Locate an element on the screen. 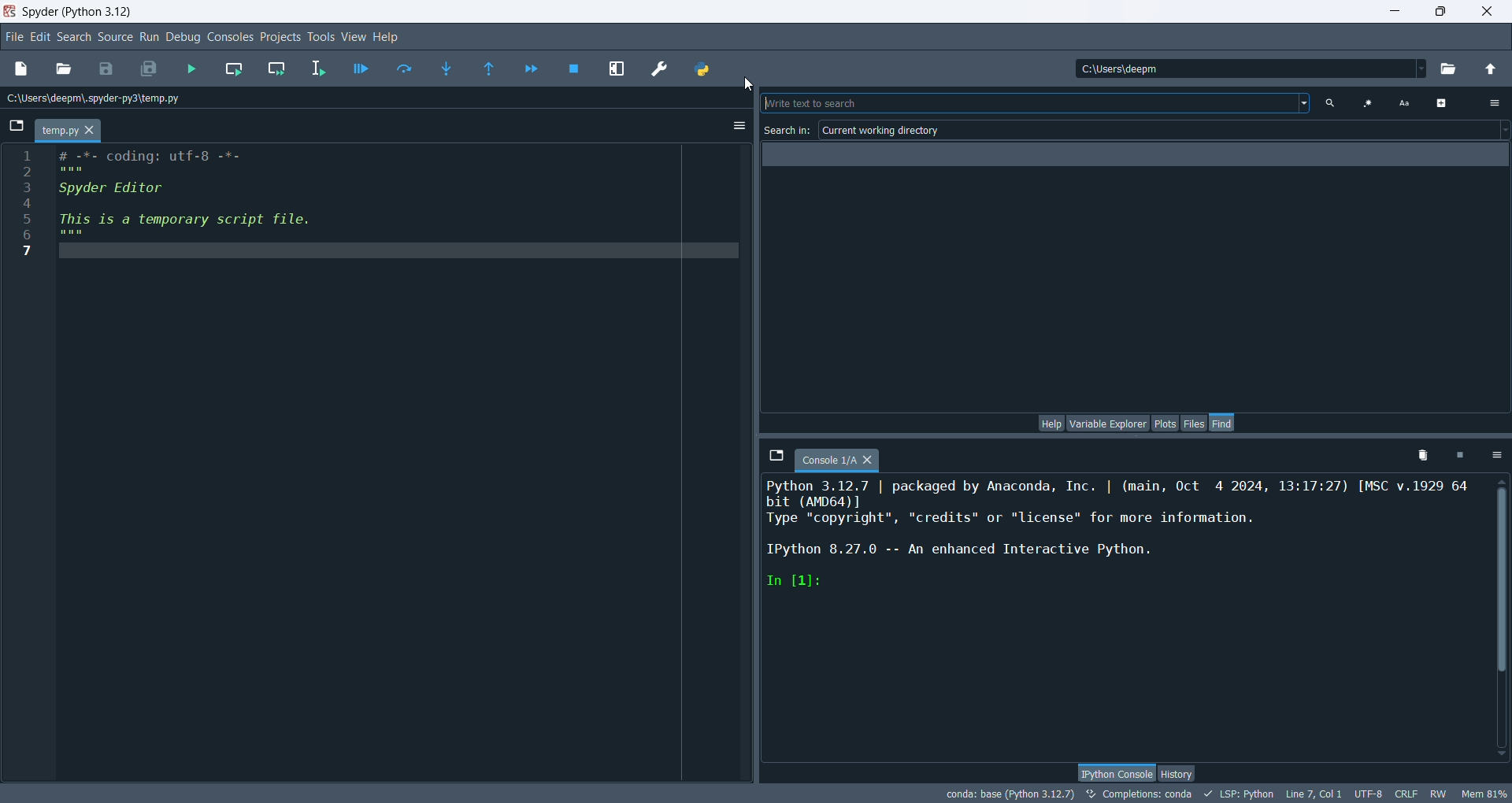  location is located at coordinates (91, 98).